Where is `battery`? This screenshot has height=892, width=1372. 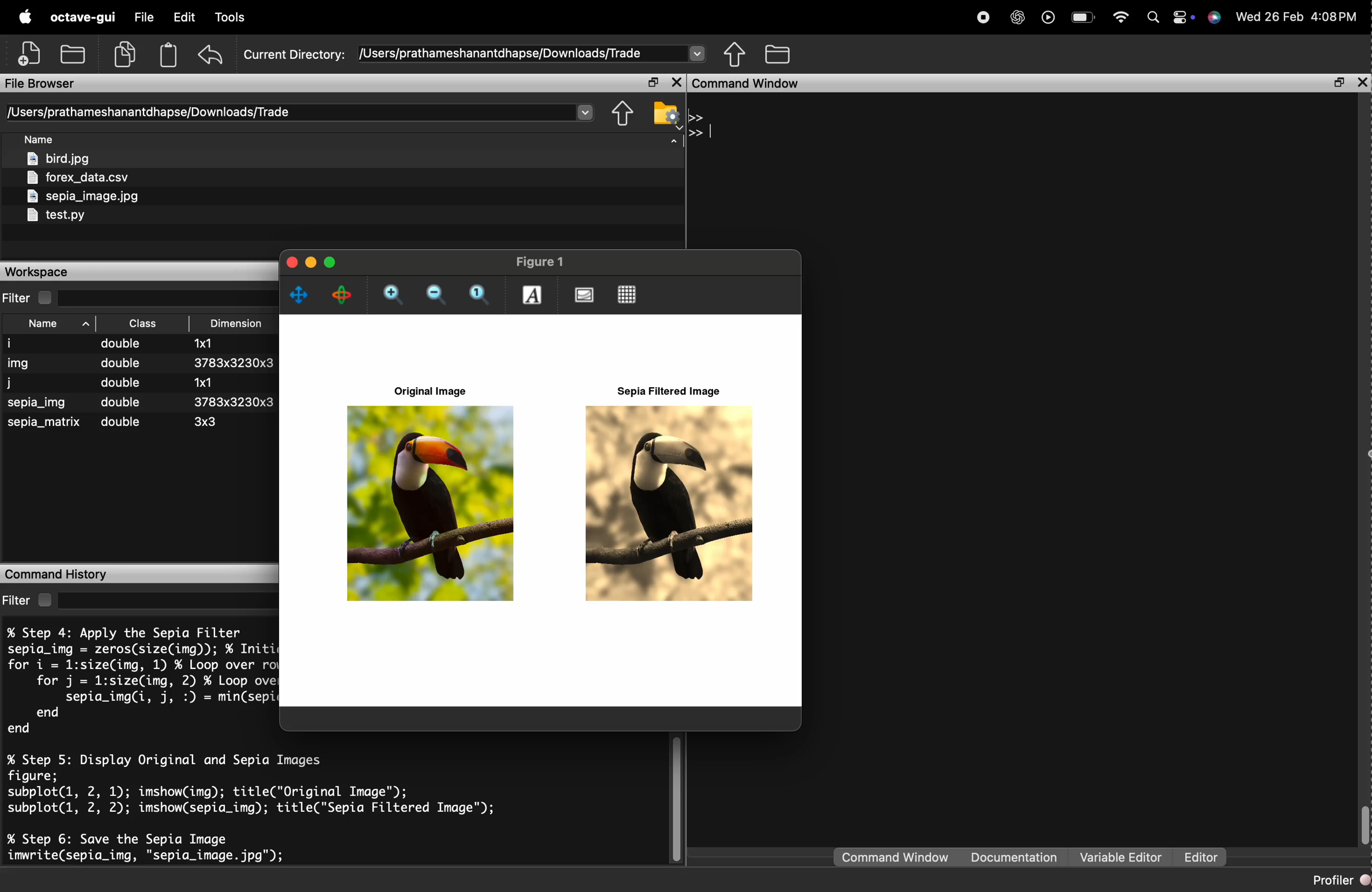
battery is located at coordinates (1084, 17).